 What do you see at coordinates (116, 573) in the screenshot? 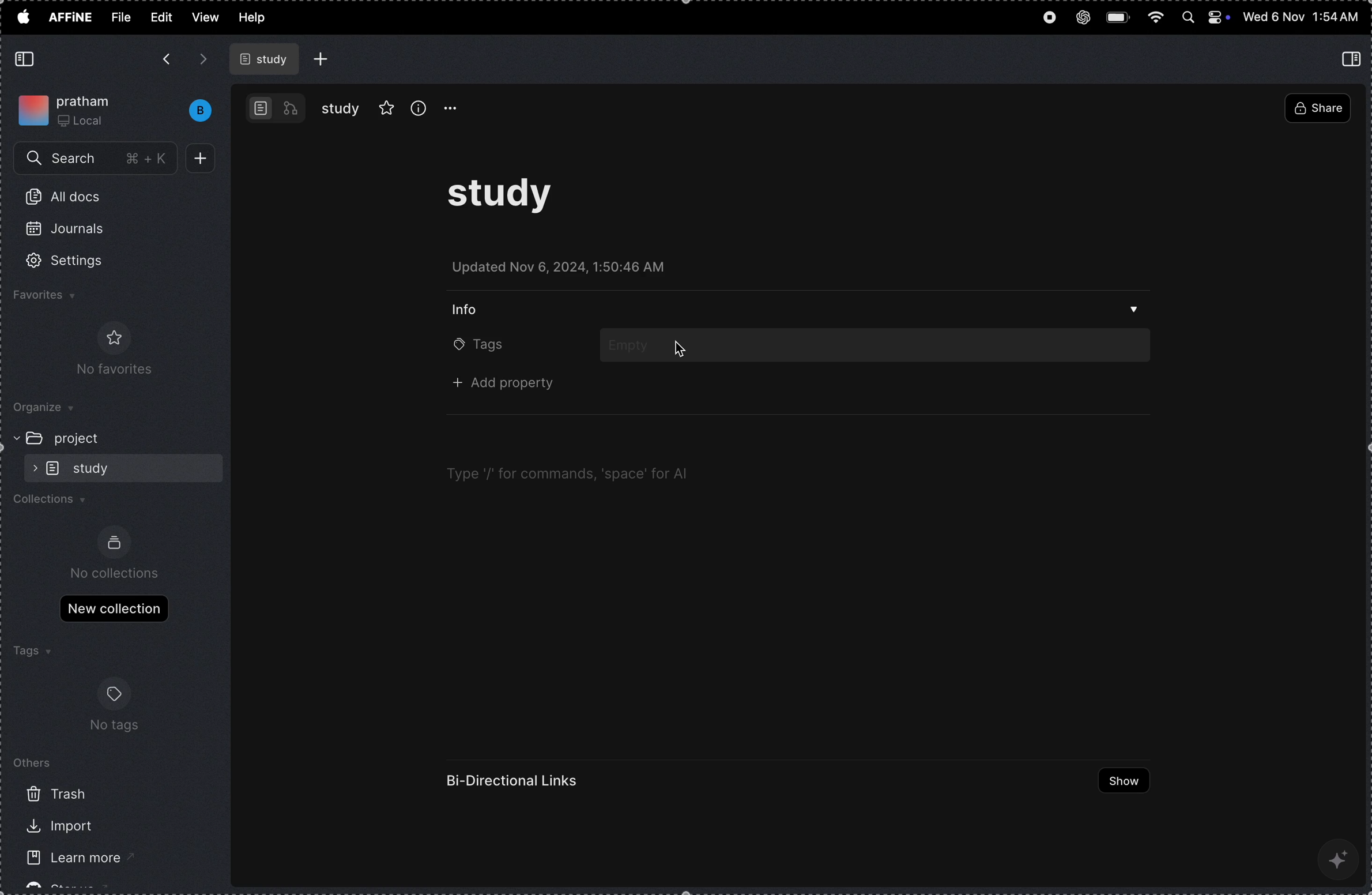
I see `no collections` at bounding box center [116, 573].